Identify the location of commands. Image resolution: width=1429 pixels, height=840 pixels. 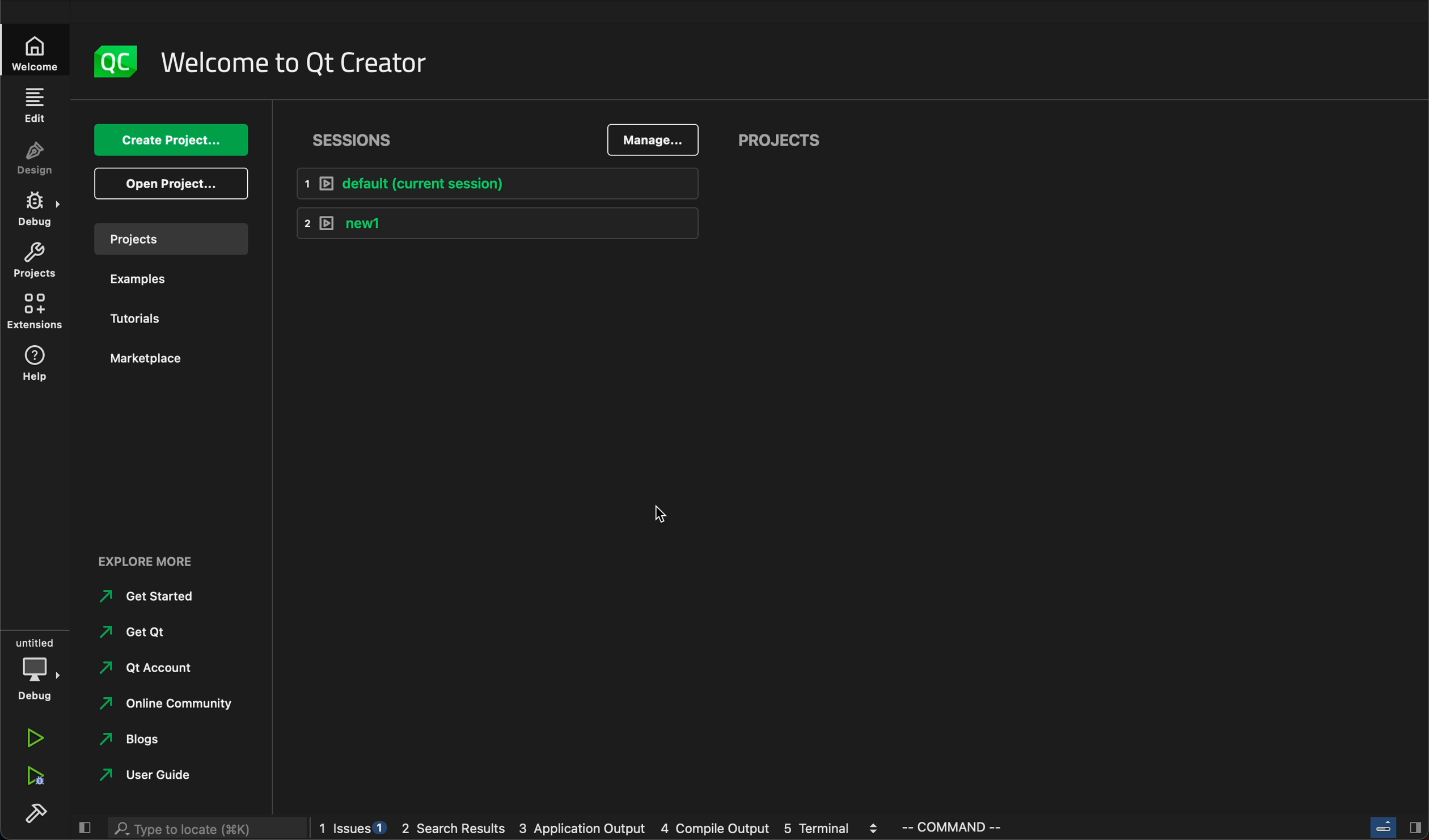
(959, 829).